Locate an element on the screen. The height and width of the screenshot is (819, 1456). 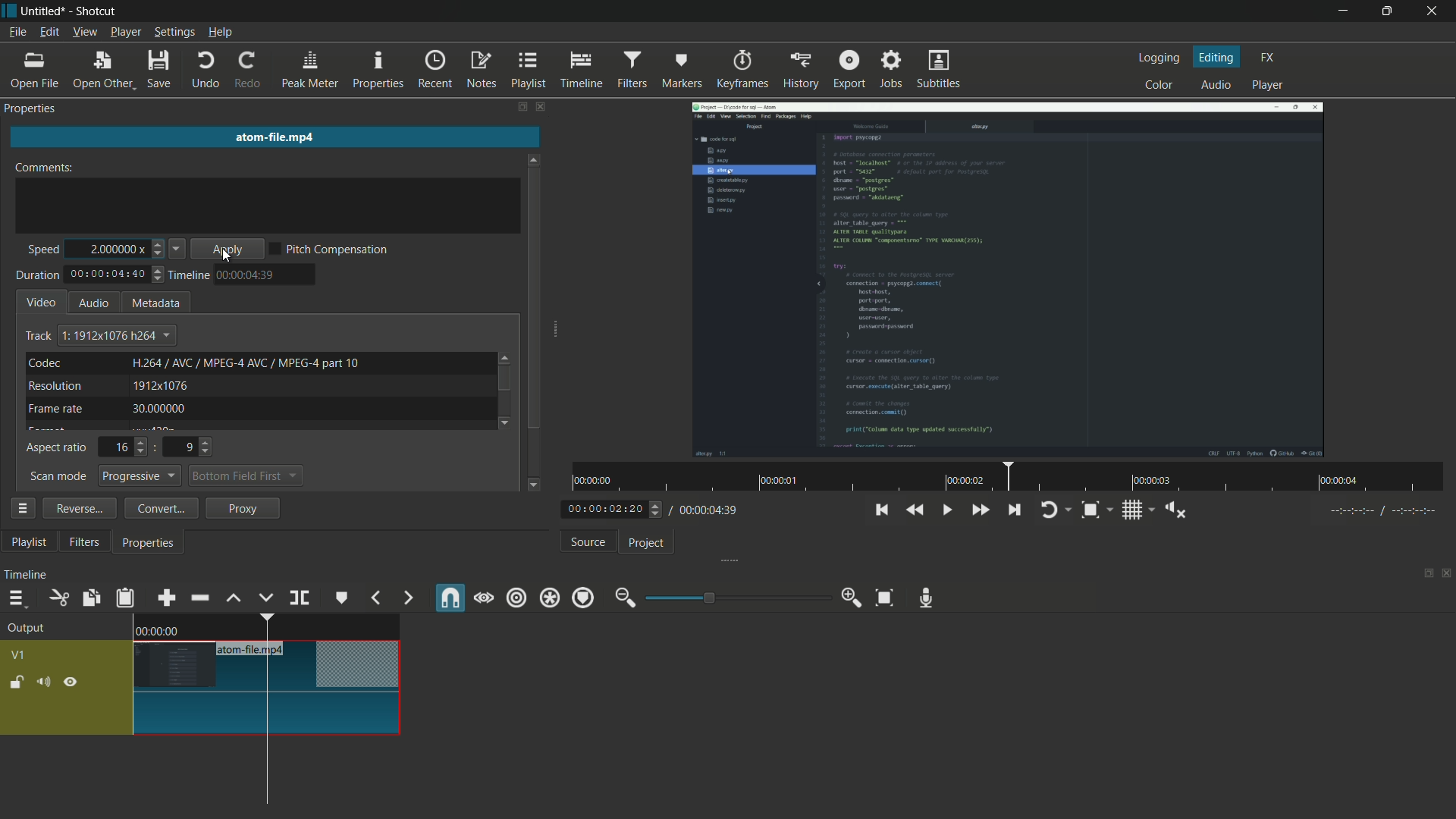
zoom out is located at coordinates (625, 598).